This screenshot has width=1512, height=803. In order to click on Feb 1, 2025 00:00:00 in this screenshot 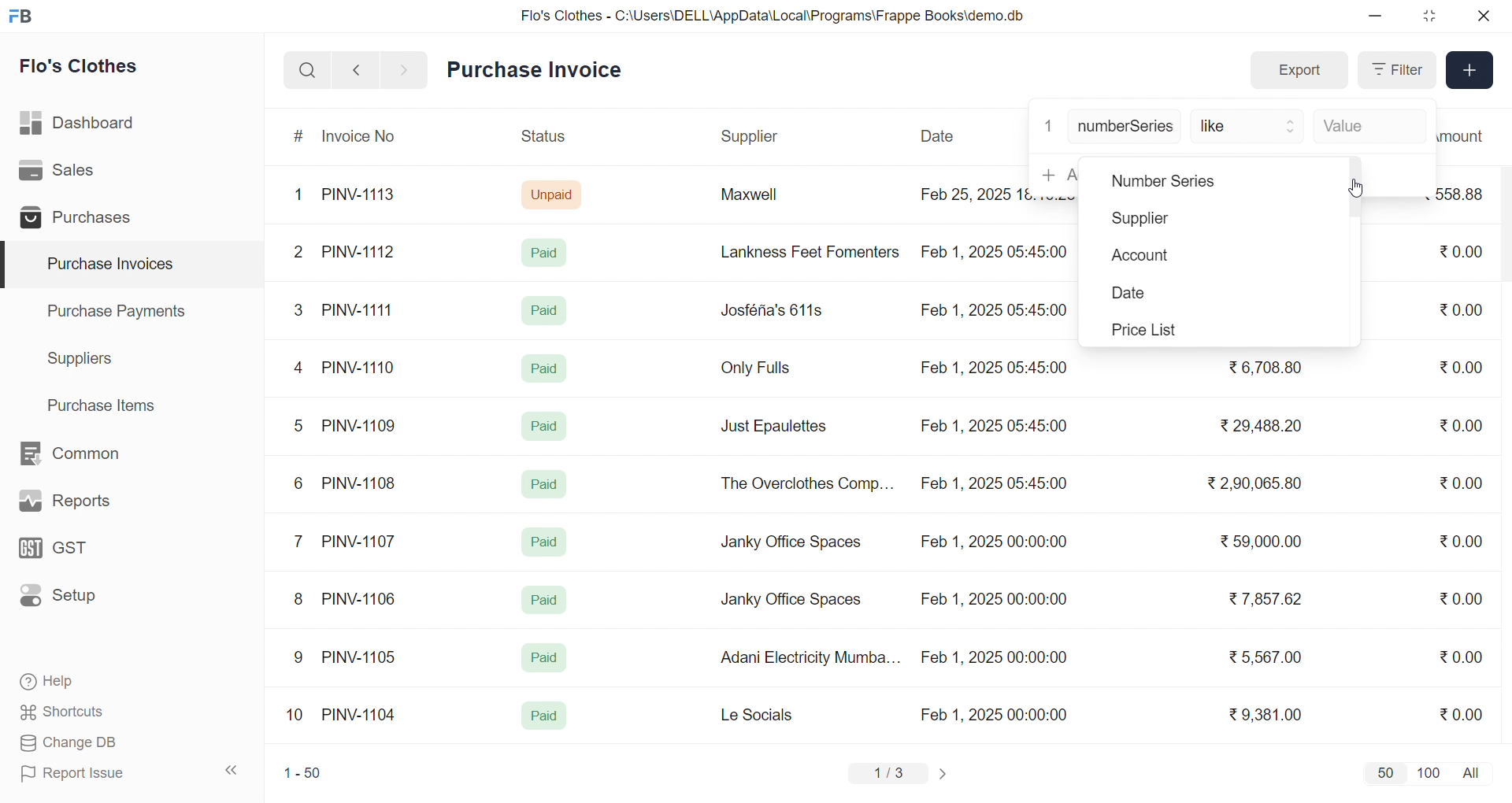, I will do `click(996, 714)`.